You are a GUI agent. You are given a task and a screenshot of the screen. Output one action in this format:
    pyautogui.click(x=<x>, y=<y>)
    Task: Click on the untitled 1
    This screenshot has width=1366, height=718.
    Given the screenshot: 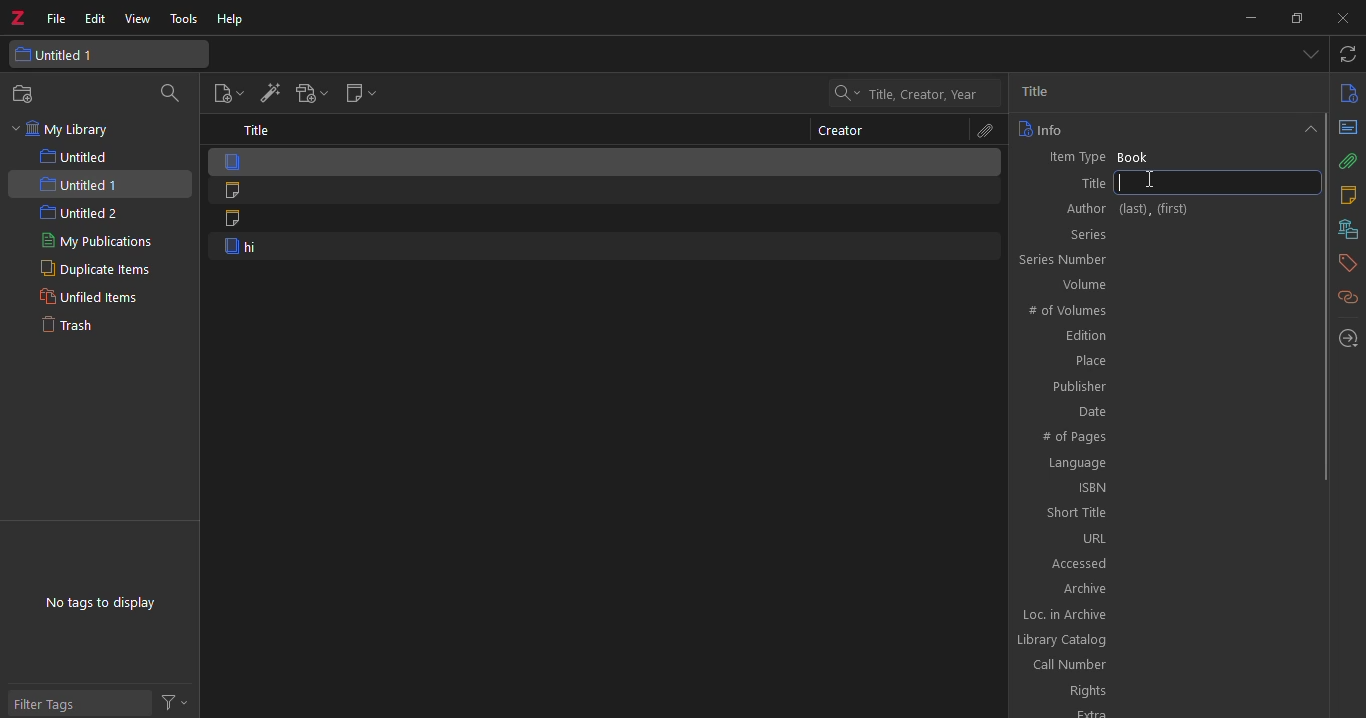 What is the action you would take?
    pyautogui.click(x=103, y=54)
    